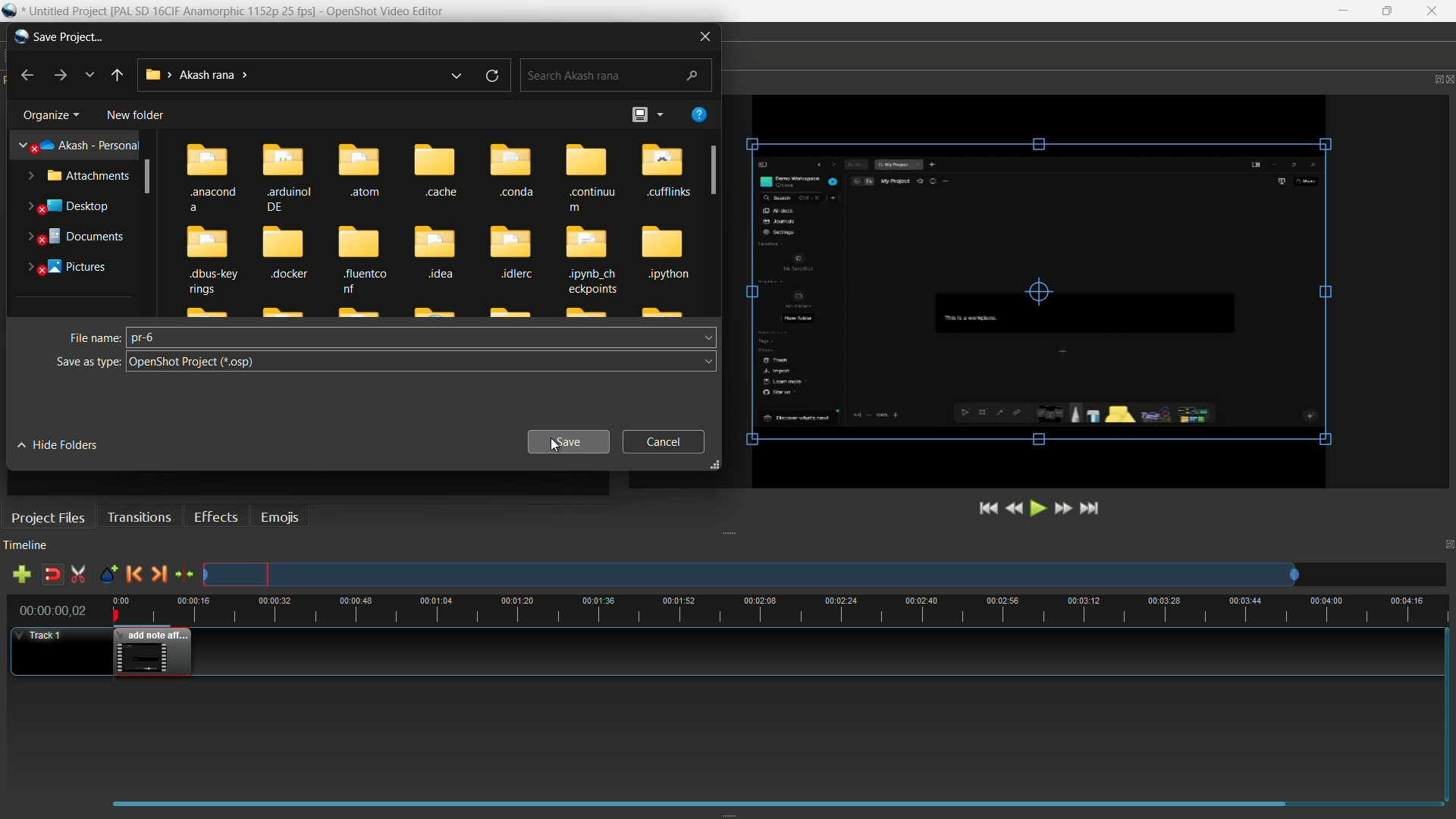  What do you see at coordinates (51, 575) in the screenshot?
I see `disable snap` at bounding box center [51, 575].